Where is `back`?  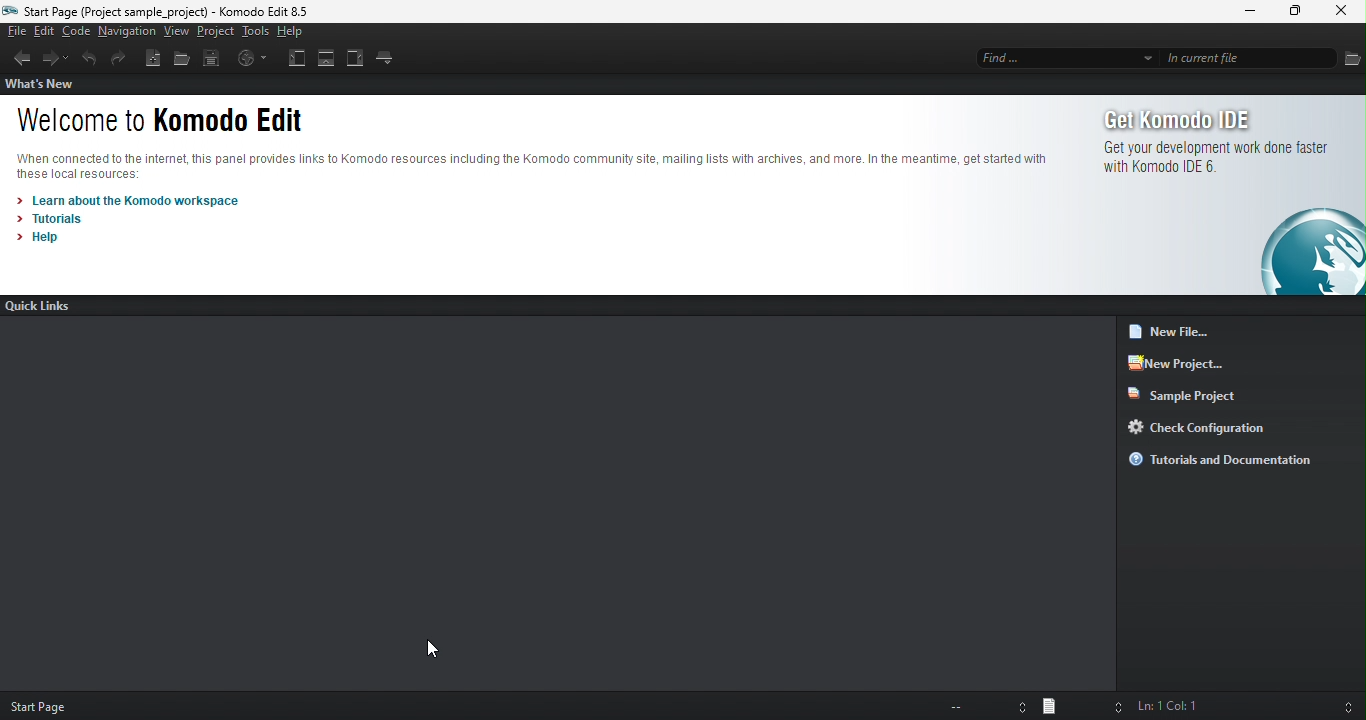
back is located at coordinates (18, 56).